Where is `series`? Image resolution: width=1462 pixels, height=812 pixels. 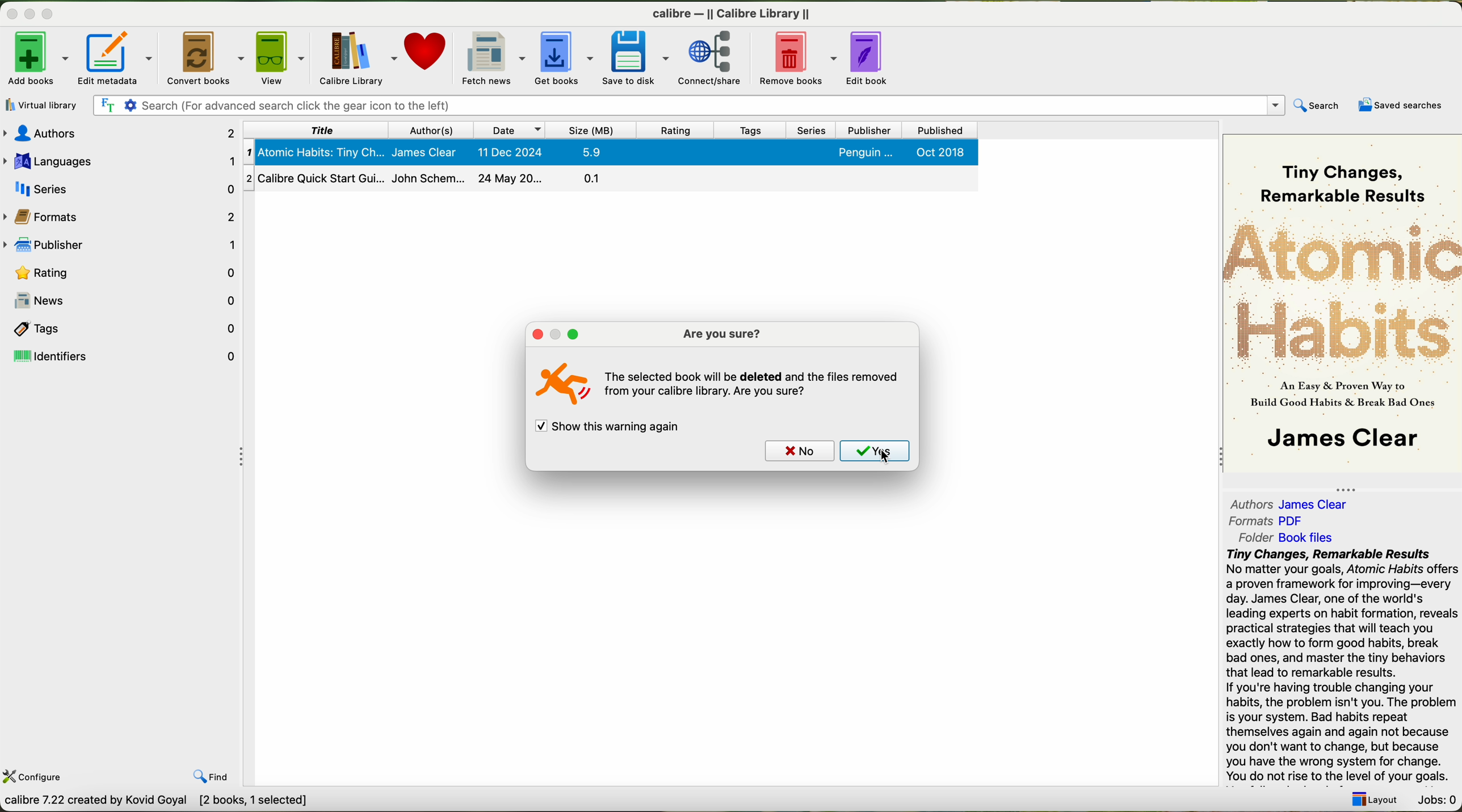
series is located at coordinates (812, 130).